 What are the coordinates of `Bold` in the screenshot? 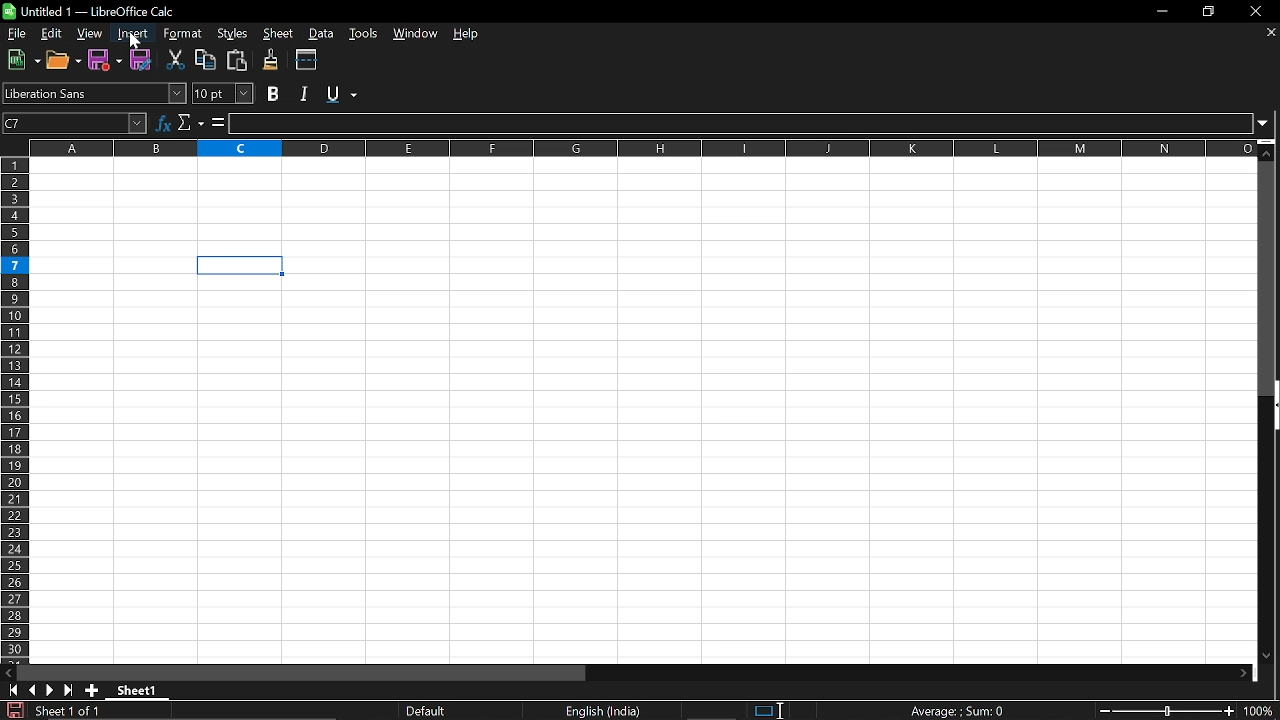 It's located at (274, 94).